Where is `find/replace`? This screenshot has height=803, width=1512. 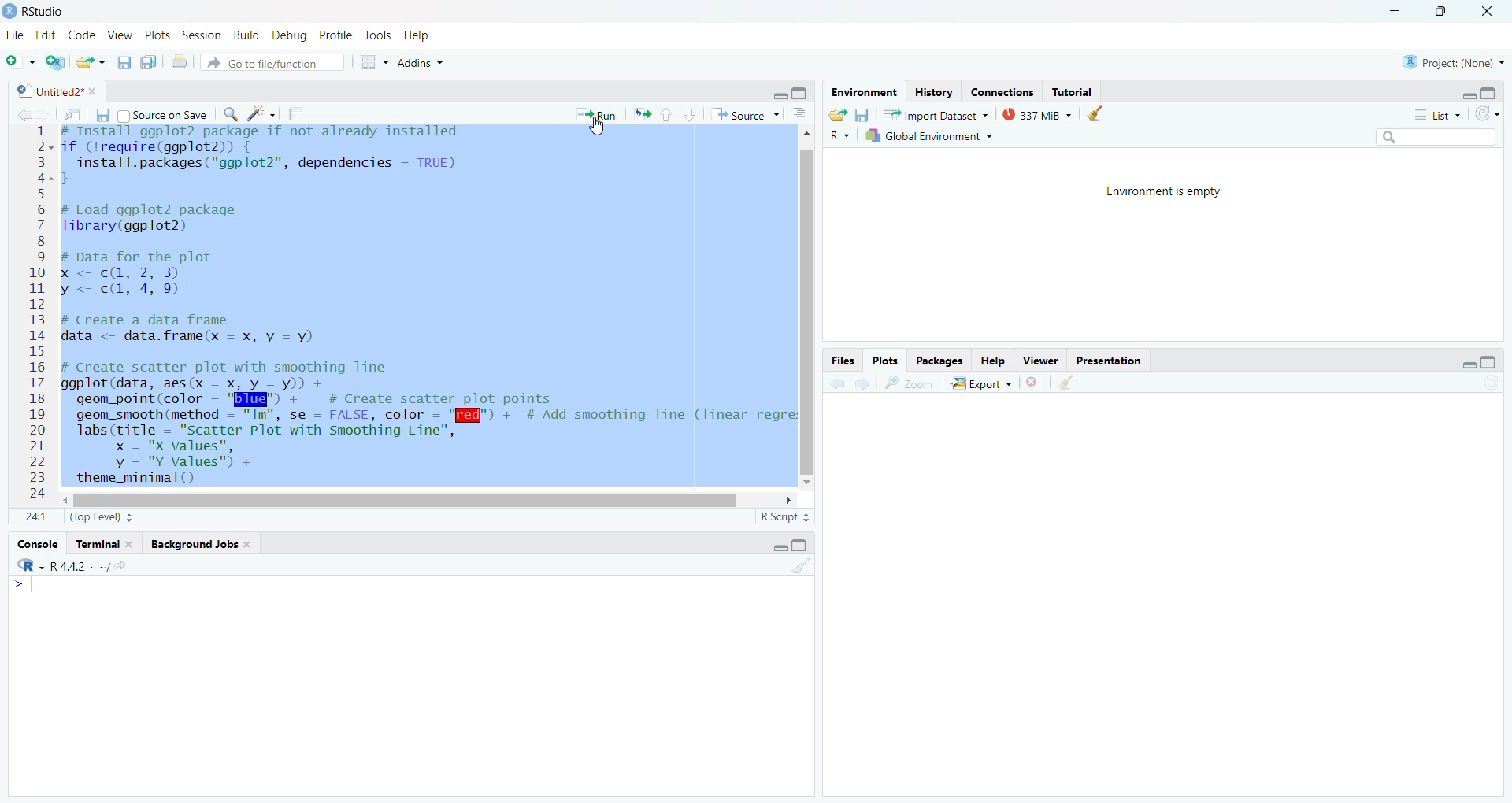 find/replace is located at coordinates (230, 114).